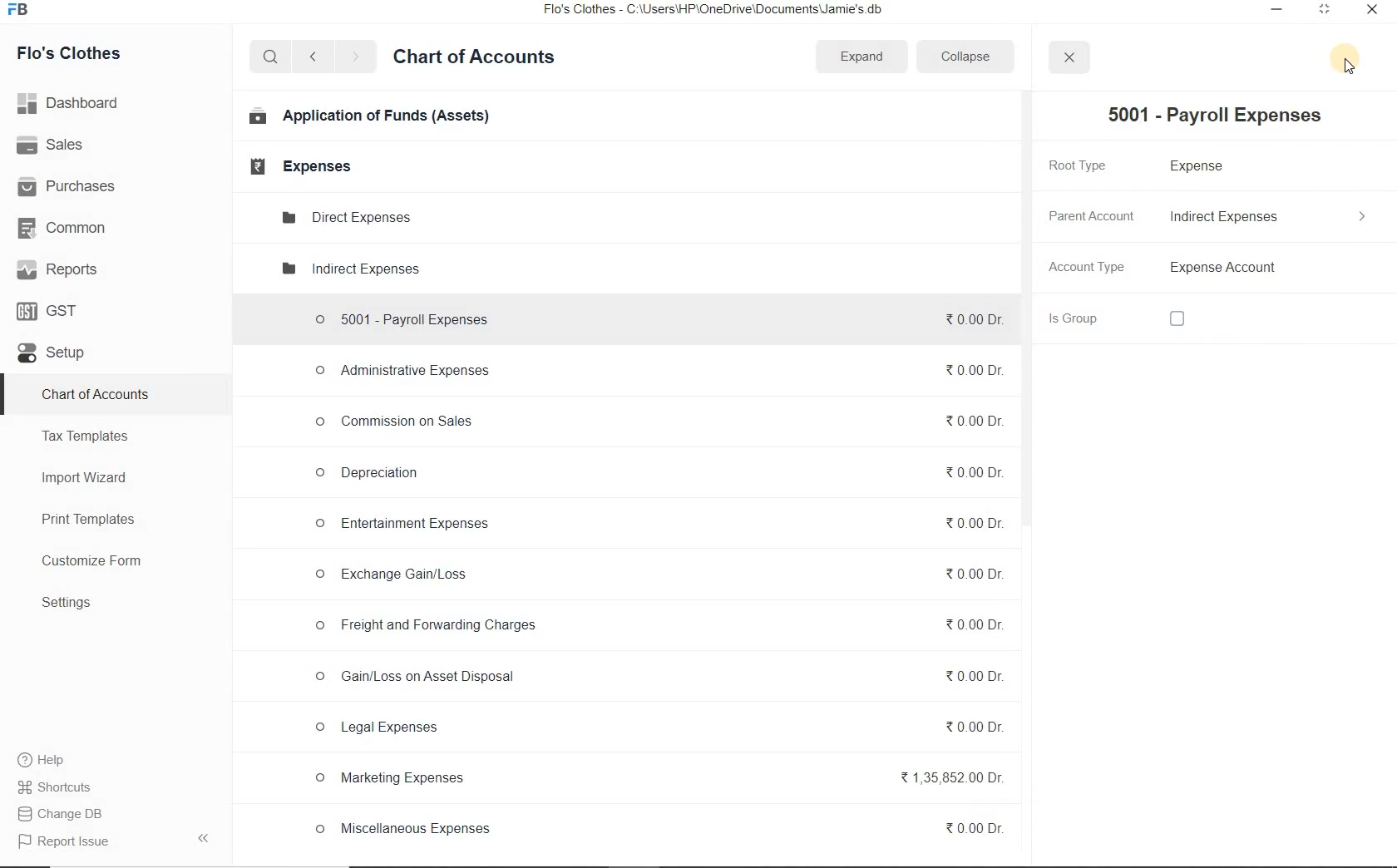 The image size is (1397, 868). I want to click on Expense, so click(1204, 167).